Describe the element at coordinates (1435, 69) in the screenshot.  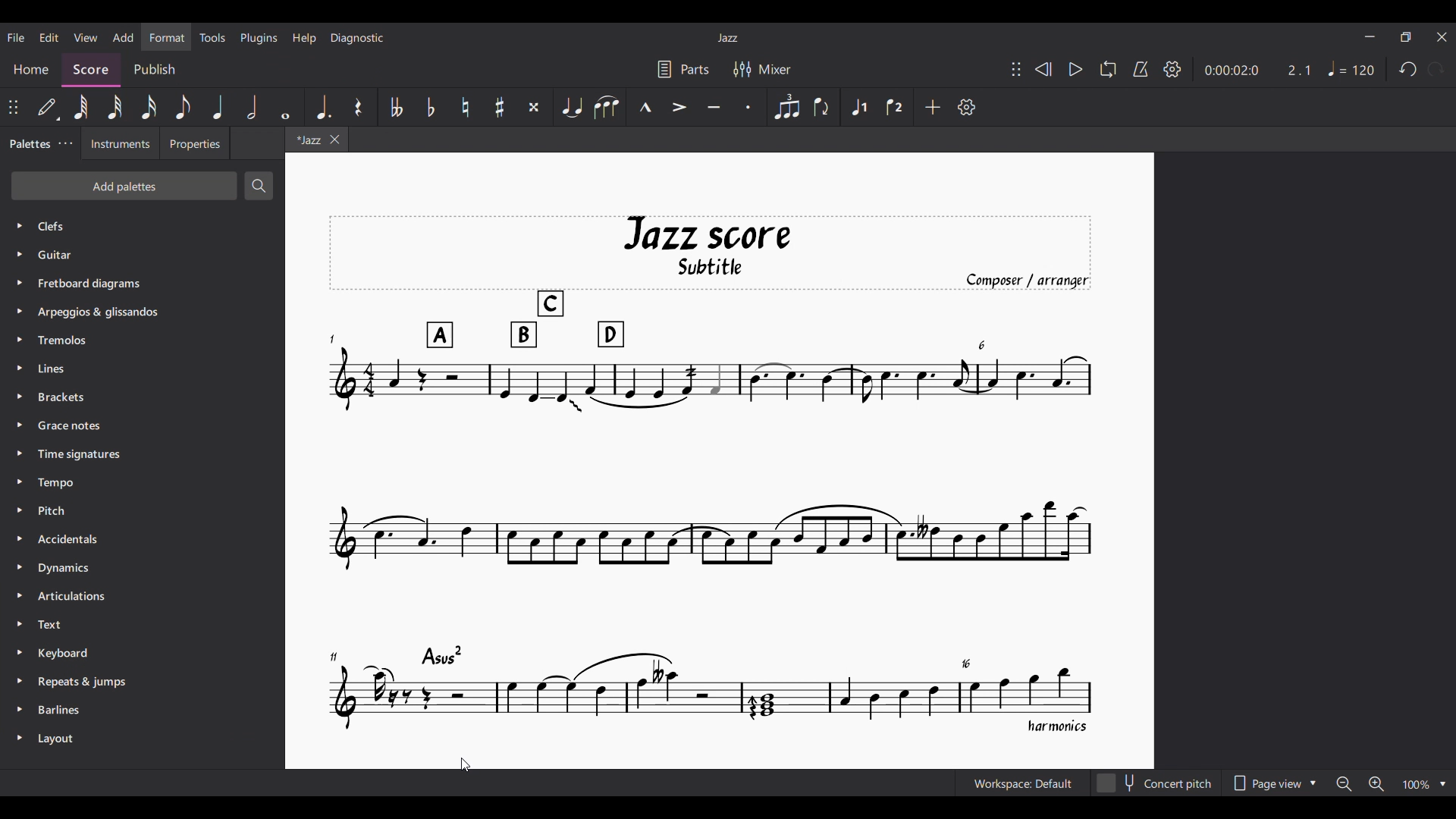
I see `Redo` at that location.